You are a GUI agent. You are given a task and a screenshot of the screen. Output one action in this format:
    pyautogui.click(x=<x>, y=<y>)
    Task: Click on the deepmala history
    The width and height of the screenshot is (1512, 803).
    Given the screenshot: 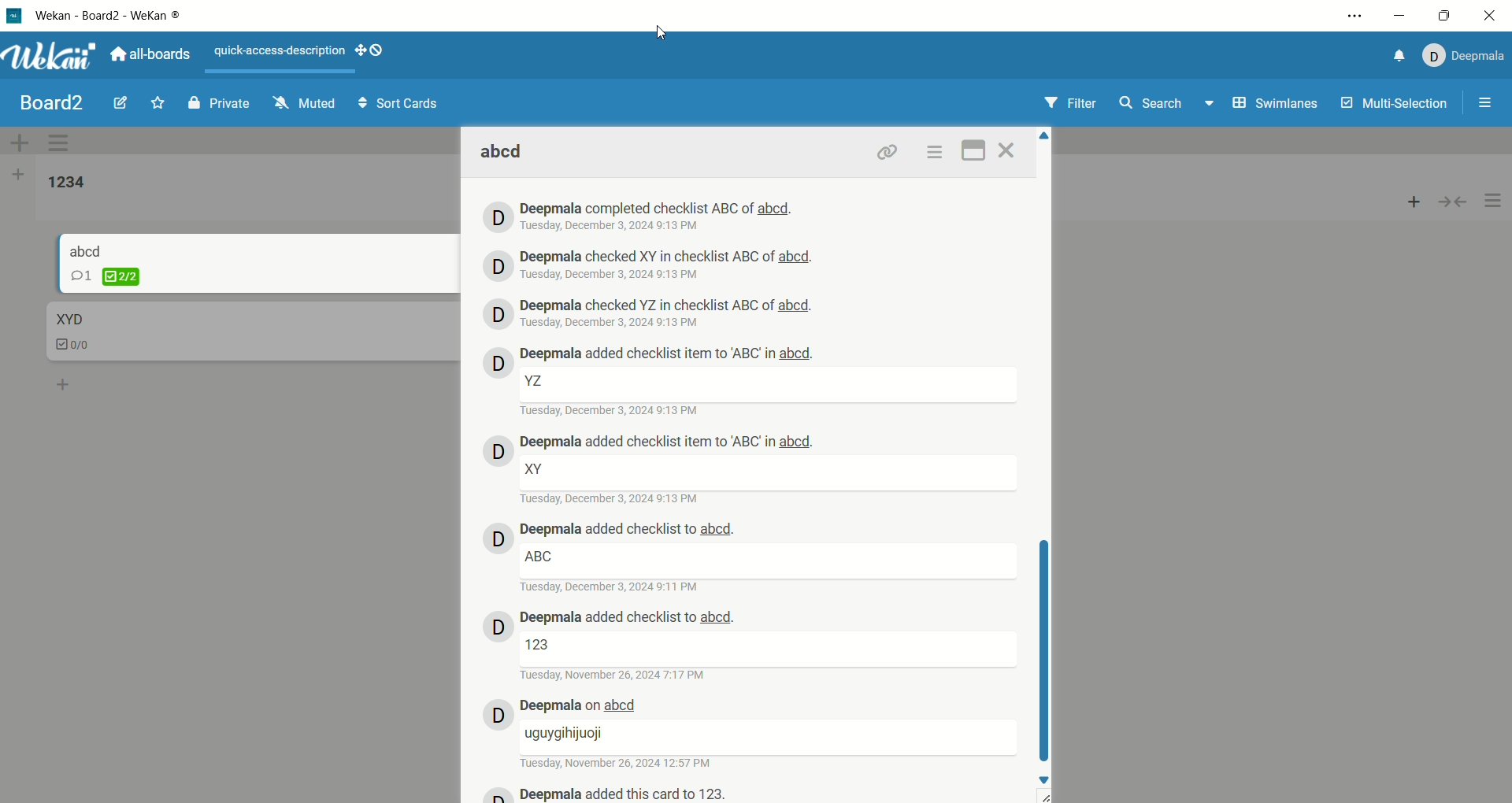 What is the action you would take?
    pyautogui.click(x=669, y=305)
    